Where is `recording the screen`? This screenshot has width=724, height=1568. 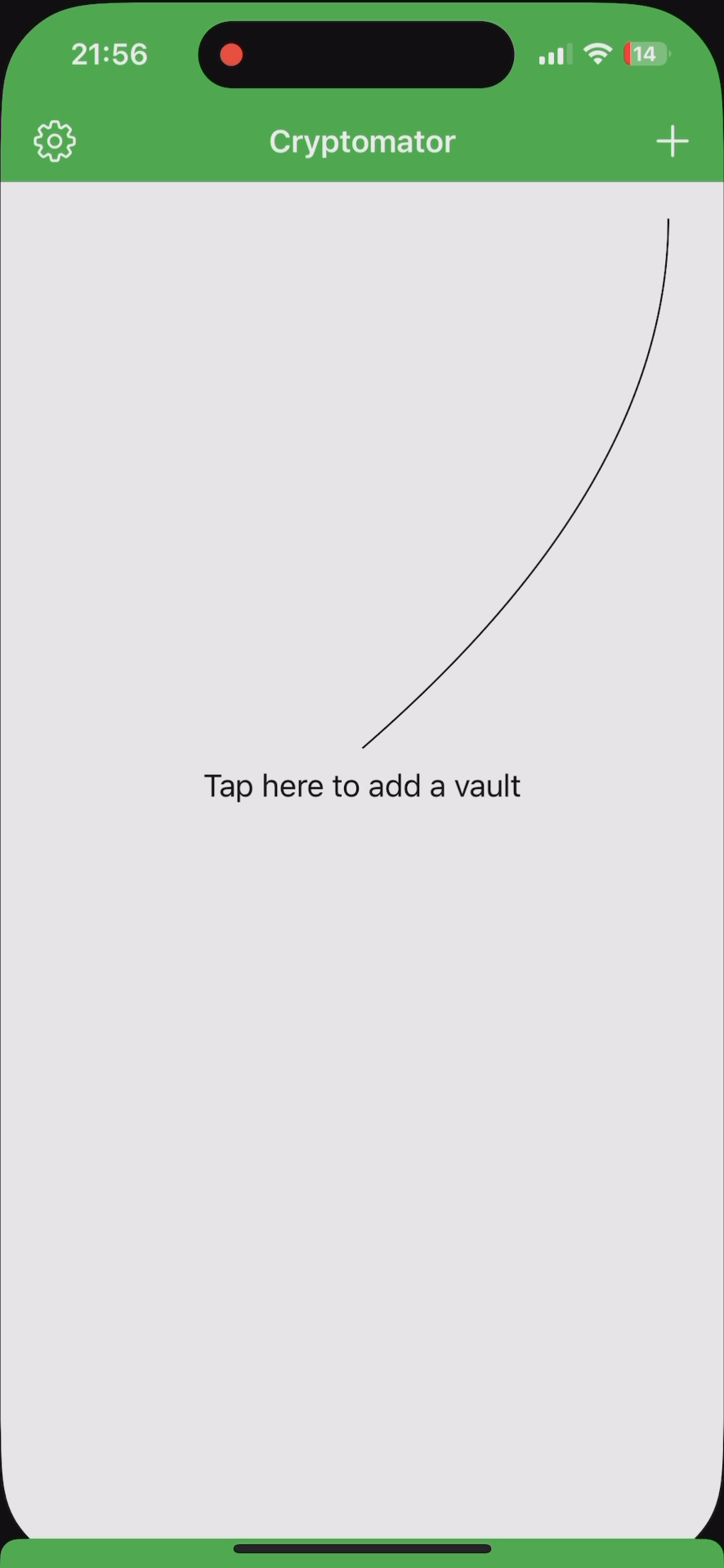
recording the screen is located at coordinates (231, 51).